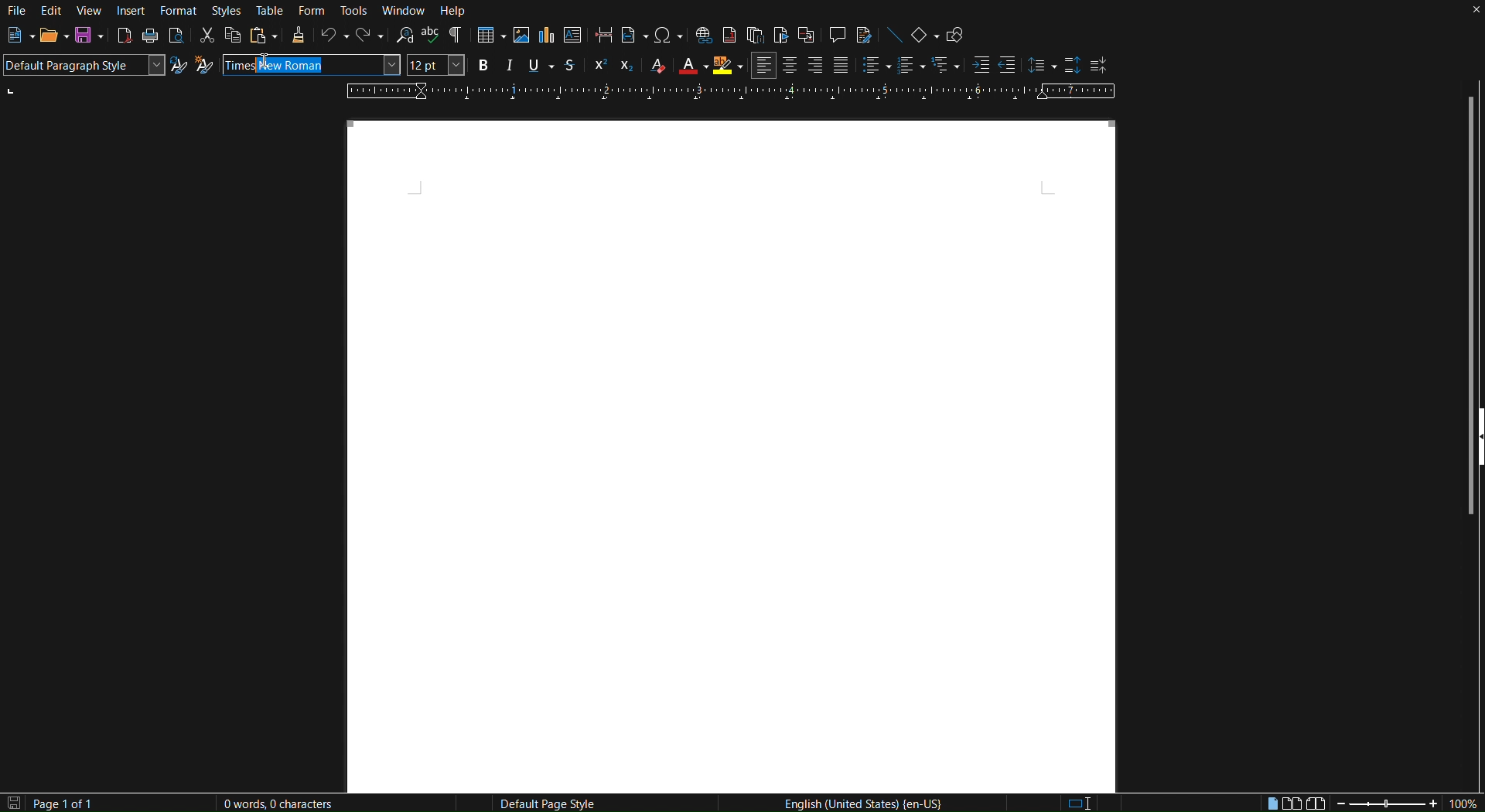  What do you see at coordinates (176, 10) in the screenshot?
I see `Format` at bounding box center [176, 10].